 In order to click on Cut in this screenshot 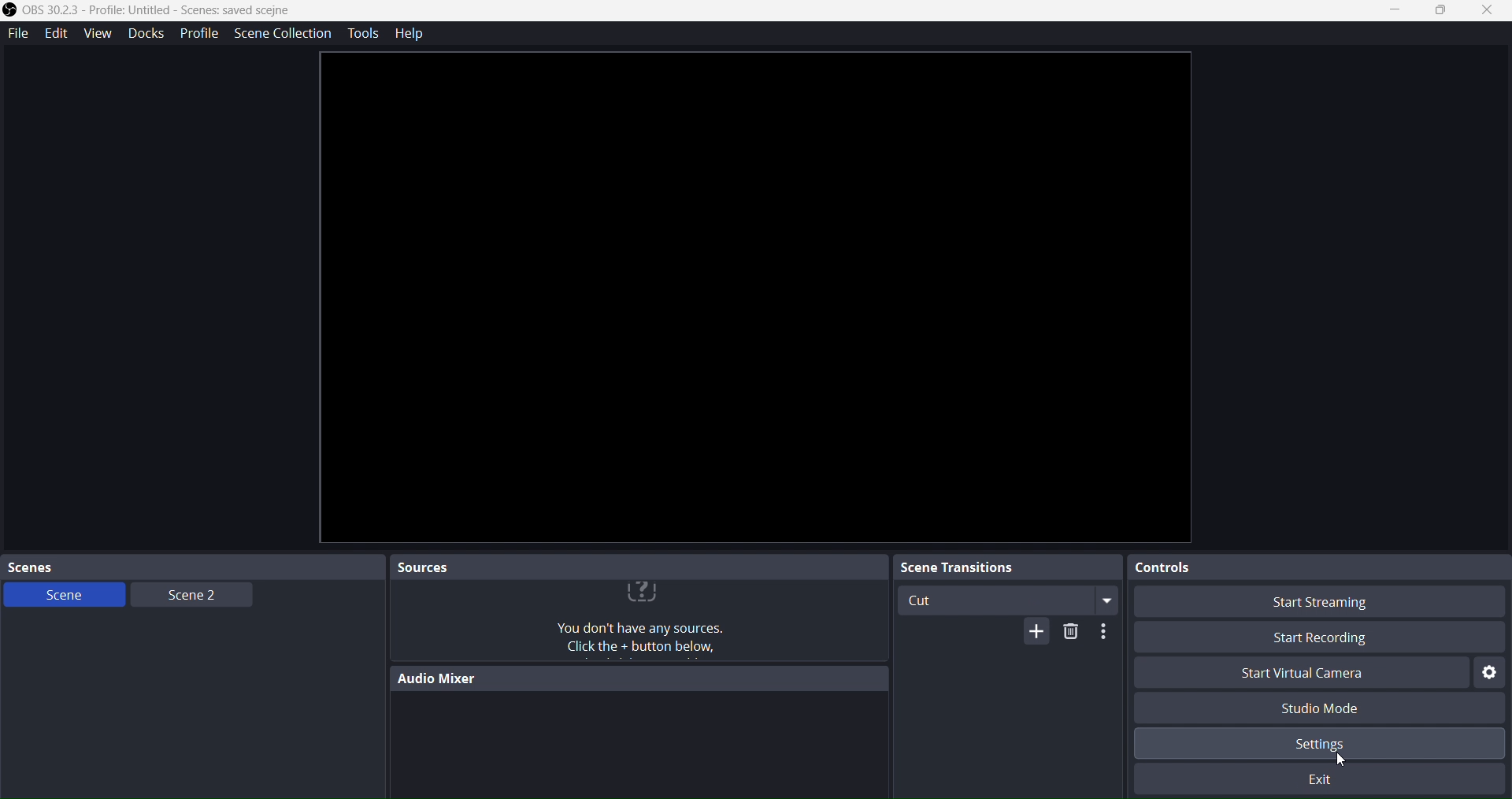, I will do `click(1007, 600)`.